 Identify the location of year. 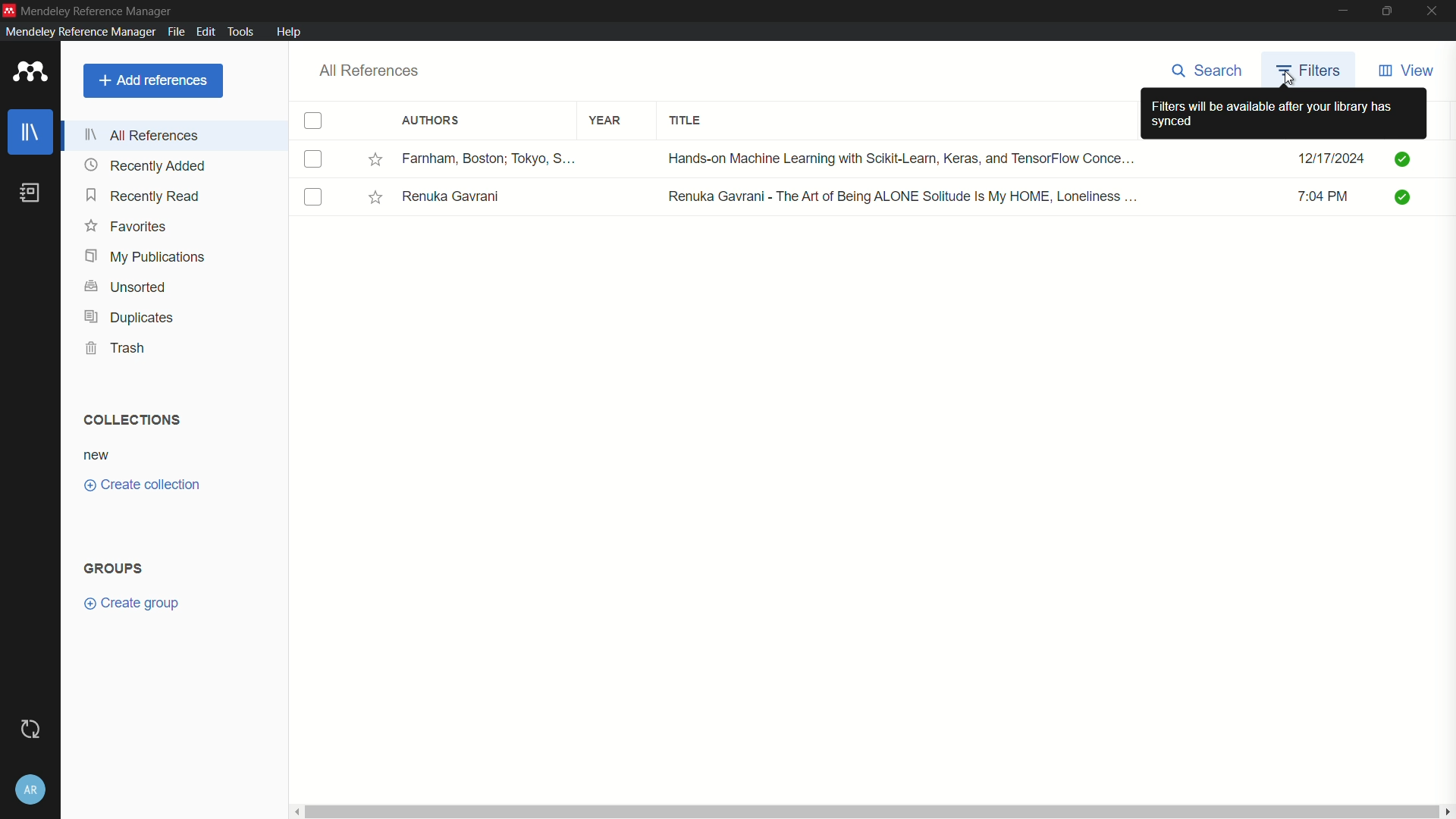
(607, 121).